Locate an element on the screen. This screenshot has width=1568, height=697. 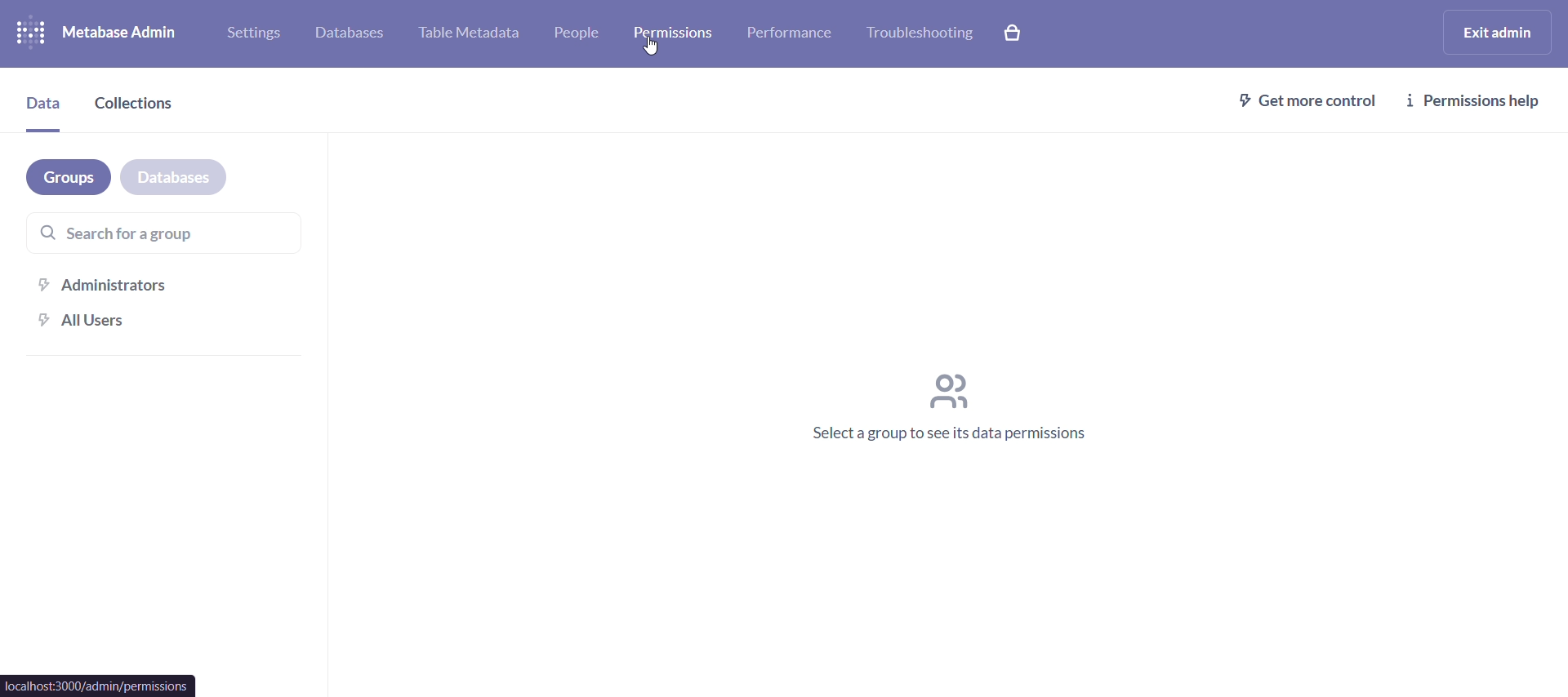
trobleshooting is located at coordinates (917, 35).